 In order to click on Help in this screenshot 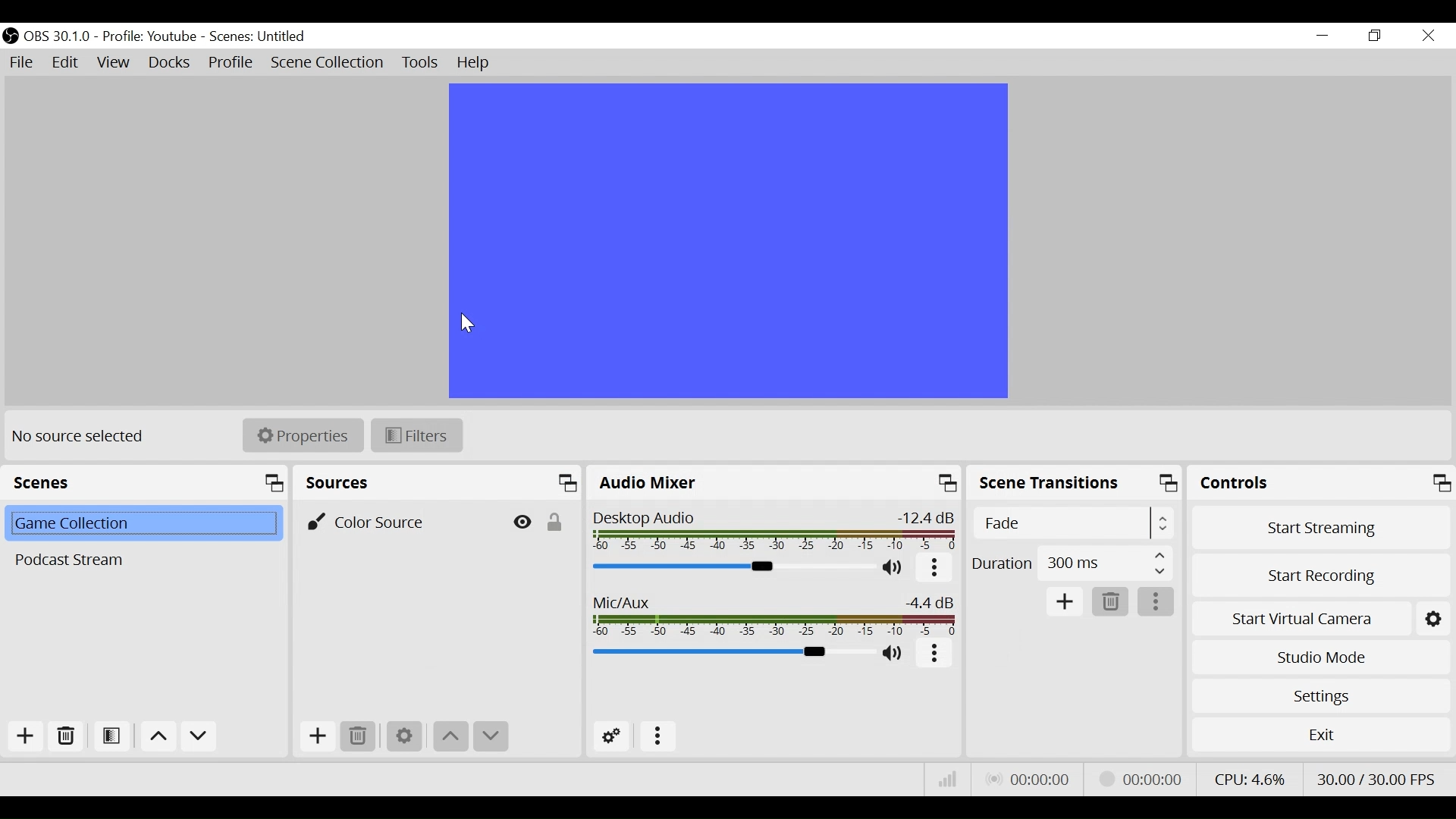, I will do `click(477, 63)`.